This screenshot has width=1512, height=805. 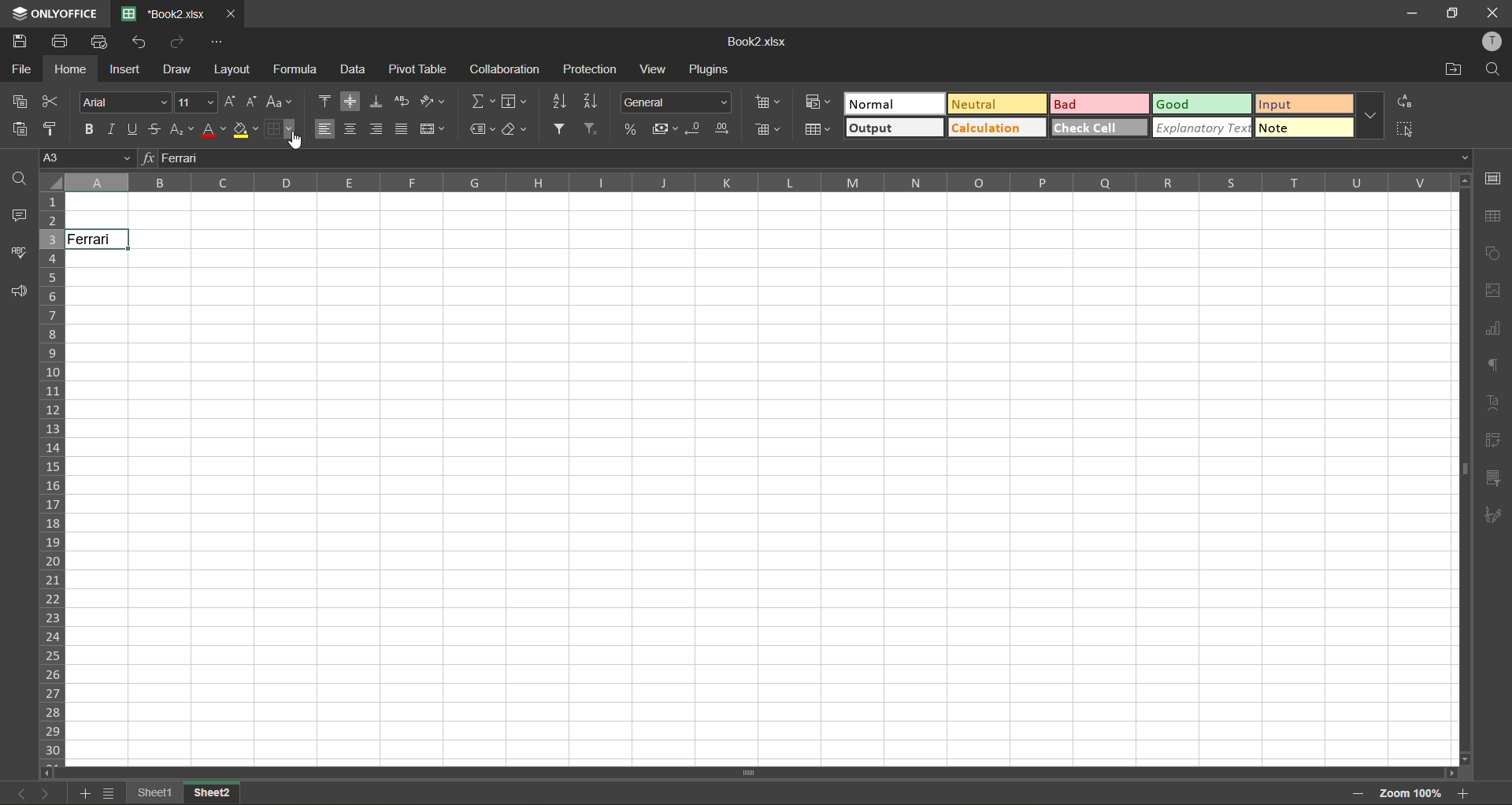 What do you see at coordinates (1466, 793) in the screenshot?
I see `zoom in` at bounding box center [1466, 793].